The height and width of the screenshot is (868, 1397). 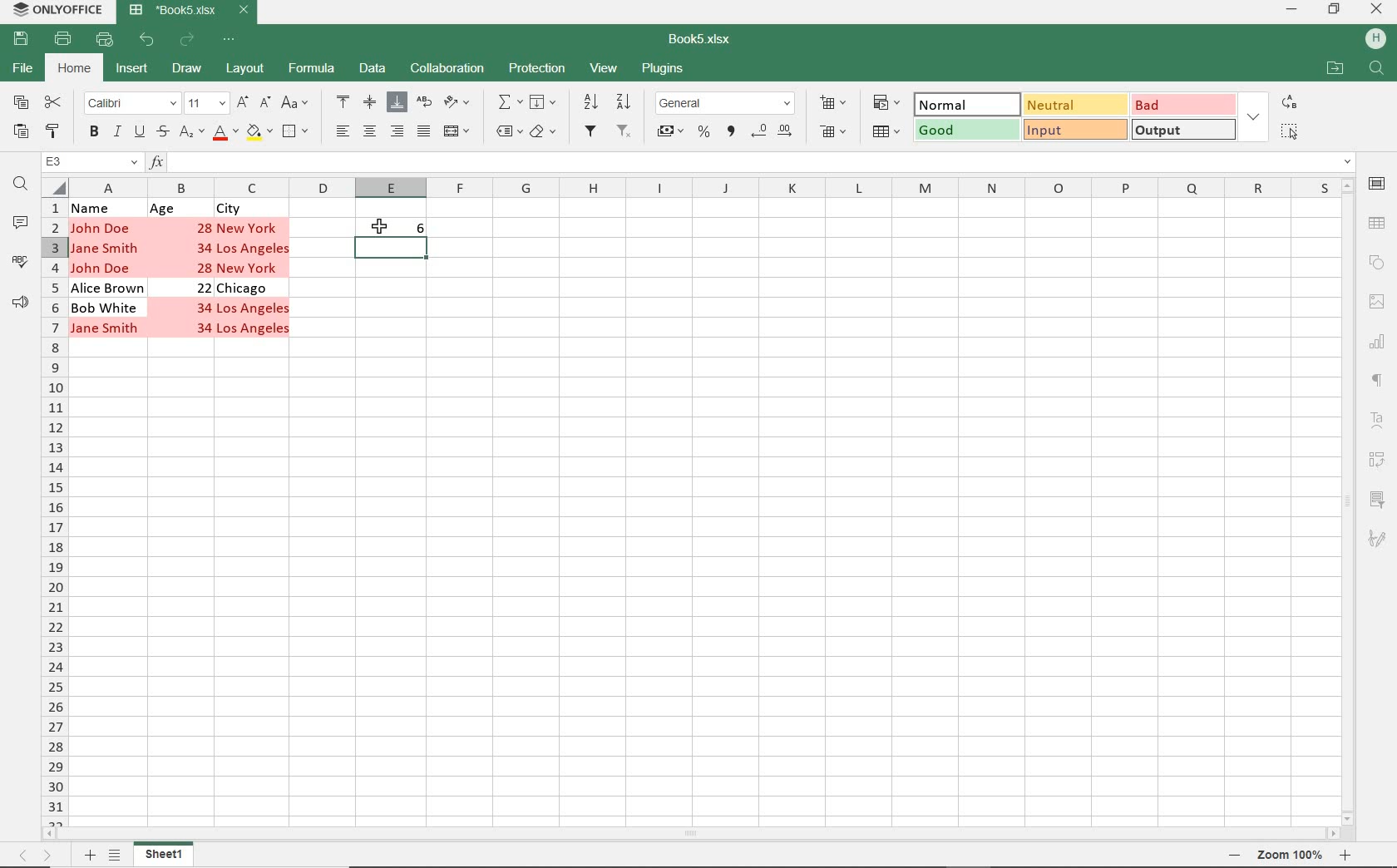 I want to click on CHANGE DECIMALS, so click(x=773, y=131).